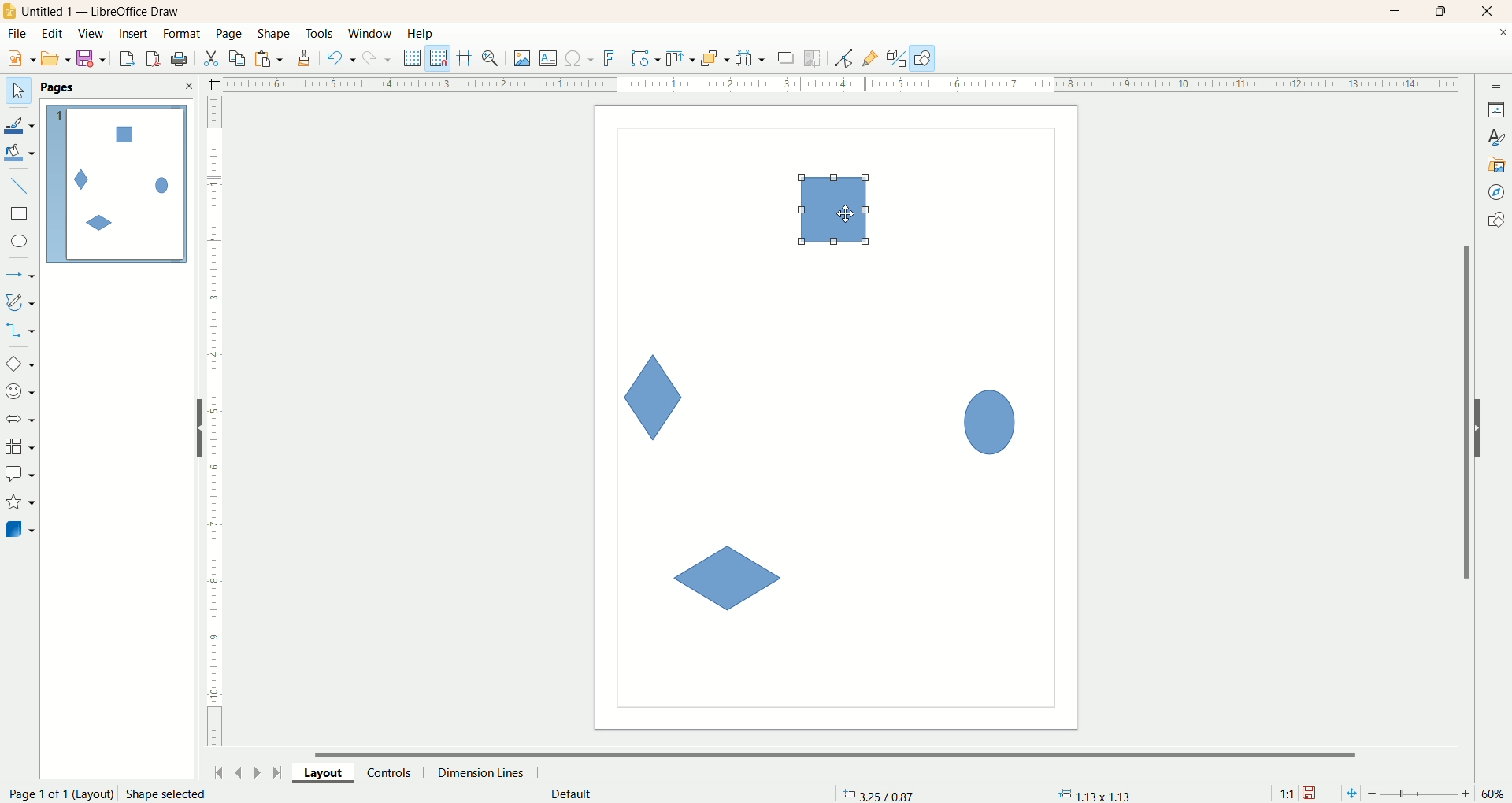 The image size is (1512, 803). What do you see at coordinates (523, 59) in the screenshot?
I see `insert image` at bounding box center [523, 59].